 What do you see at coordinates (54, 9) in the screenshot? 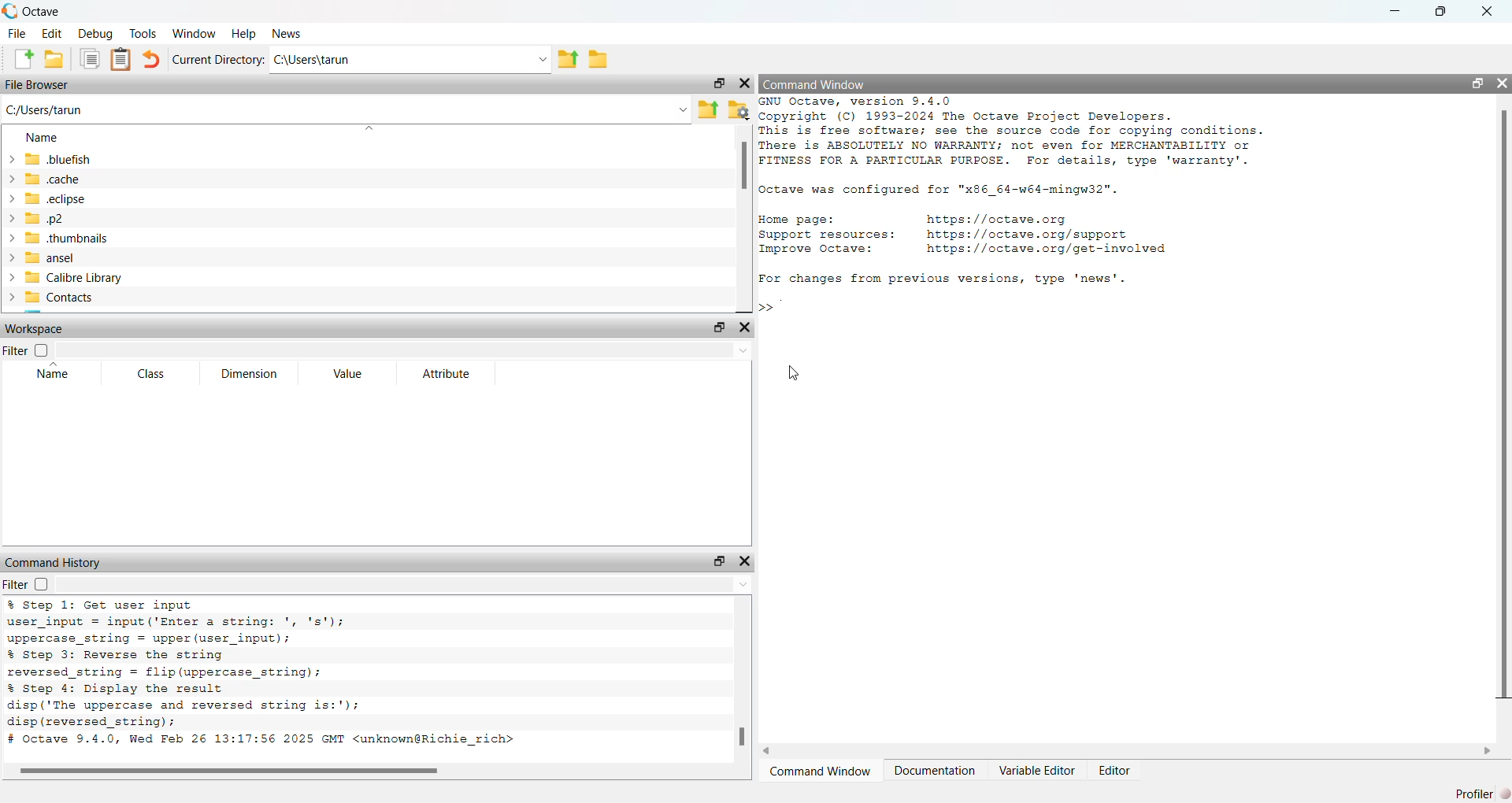
I see `octave` at bounding box center [54, 9].